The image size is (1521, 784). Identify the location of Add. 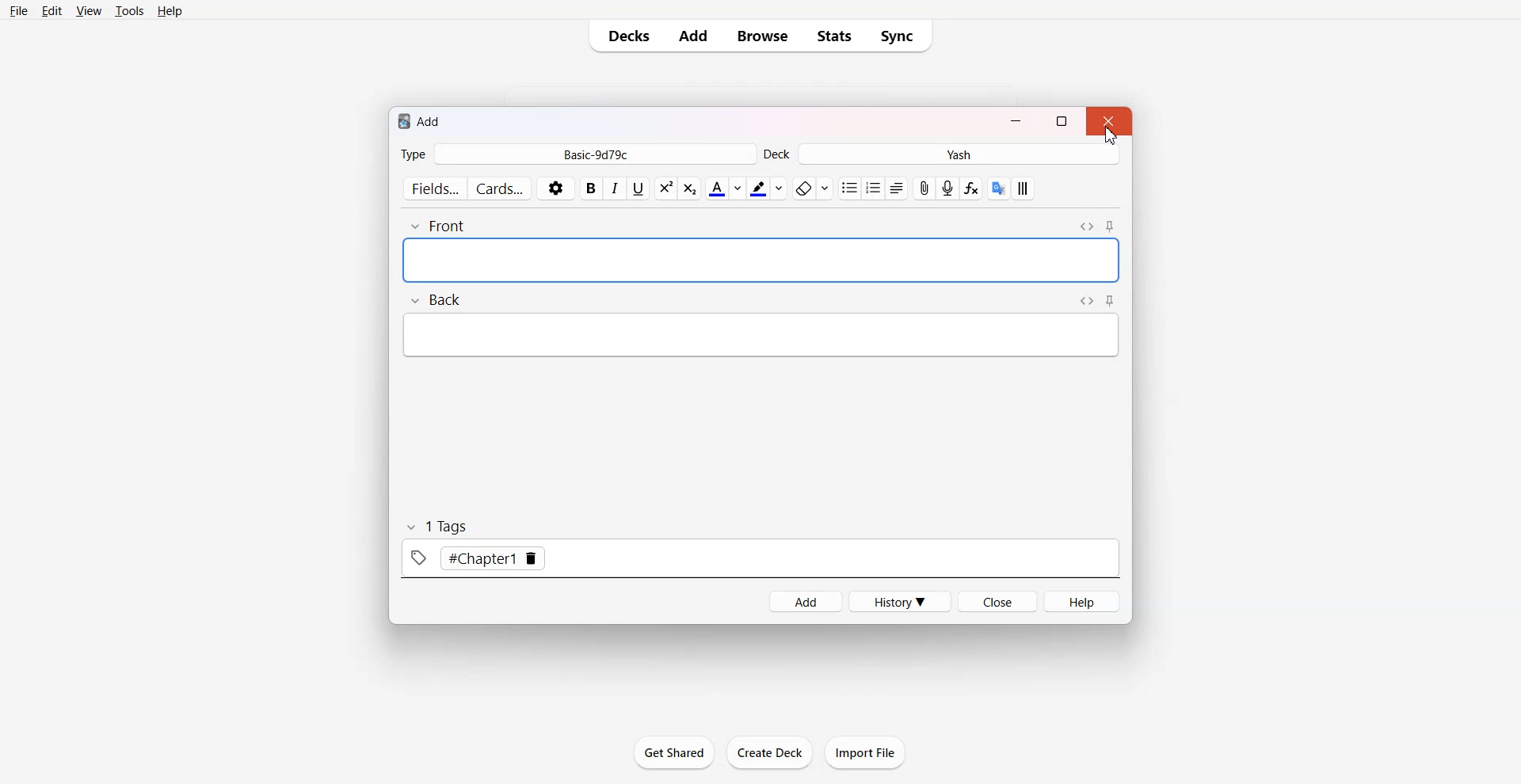
(804, 602).